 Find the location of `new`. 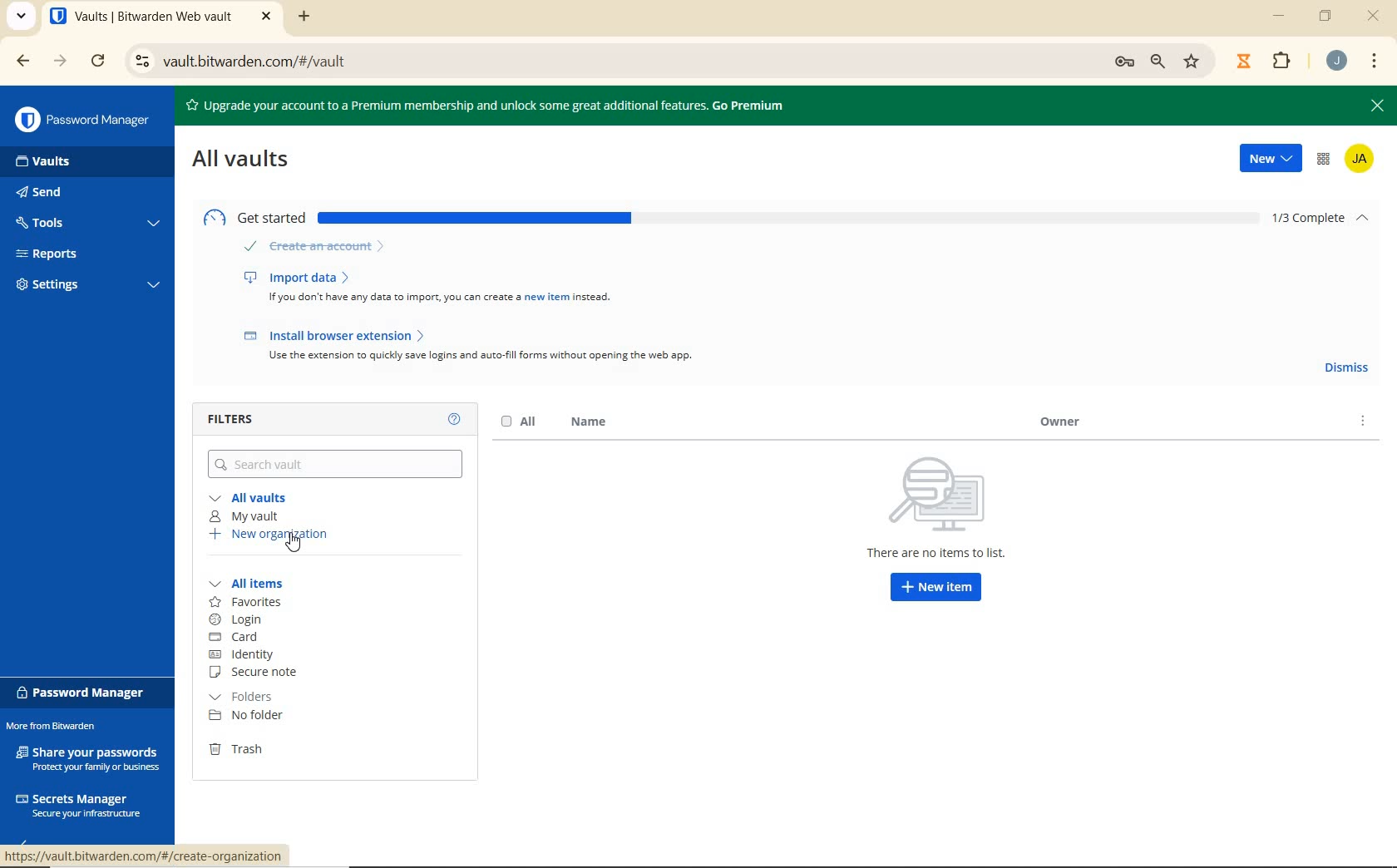

new is located at coordinates (1270, 160).